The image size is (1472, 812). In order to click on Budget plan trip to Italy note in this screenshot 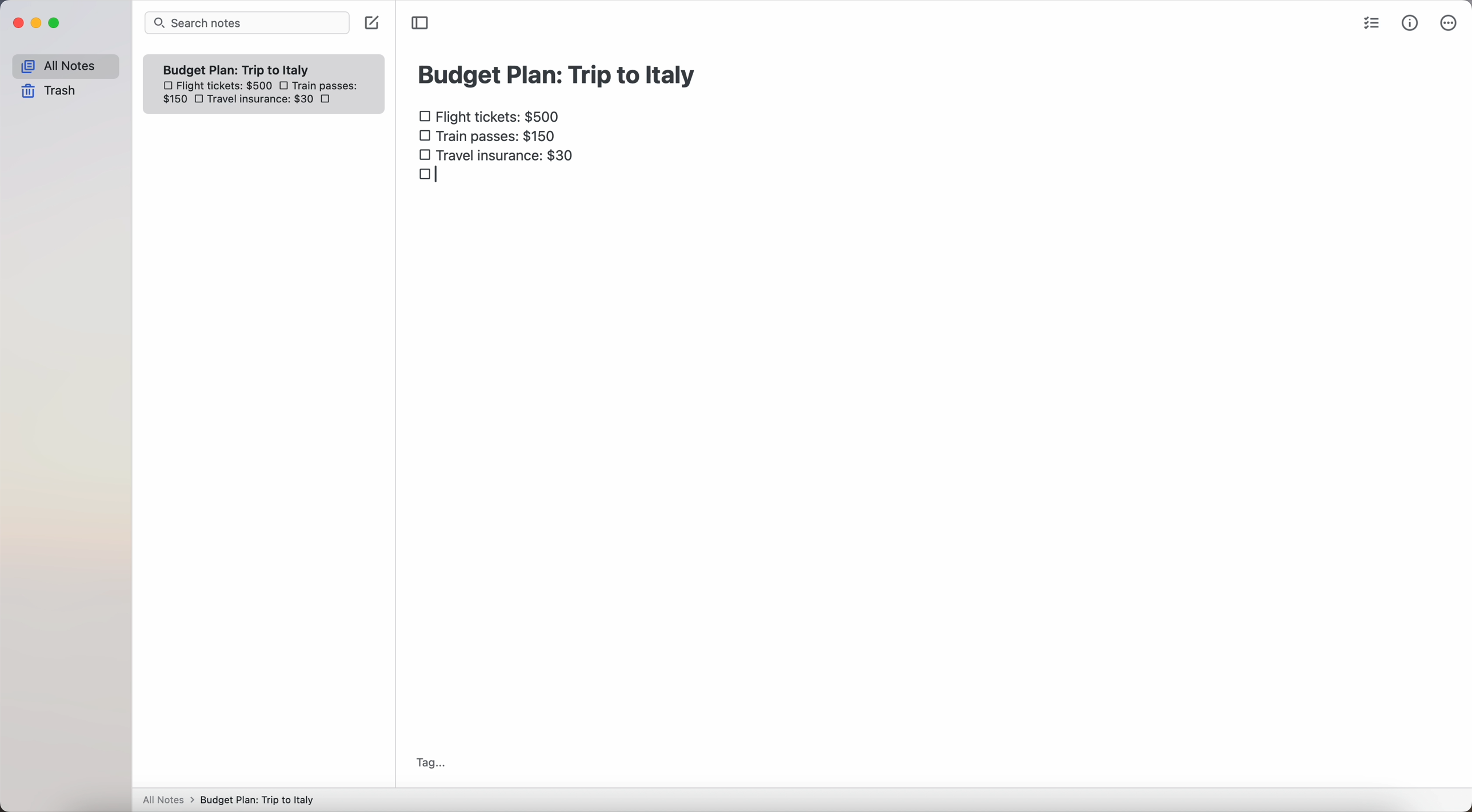, I will do `click(238, 69)`.